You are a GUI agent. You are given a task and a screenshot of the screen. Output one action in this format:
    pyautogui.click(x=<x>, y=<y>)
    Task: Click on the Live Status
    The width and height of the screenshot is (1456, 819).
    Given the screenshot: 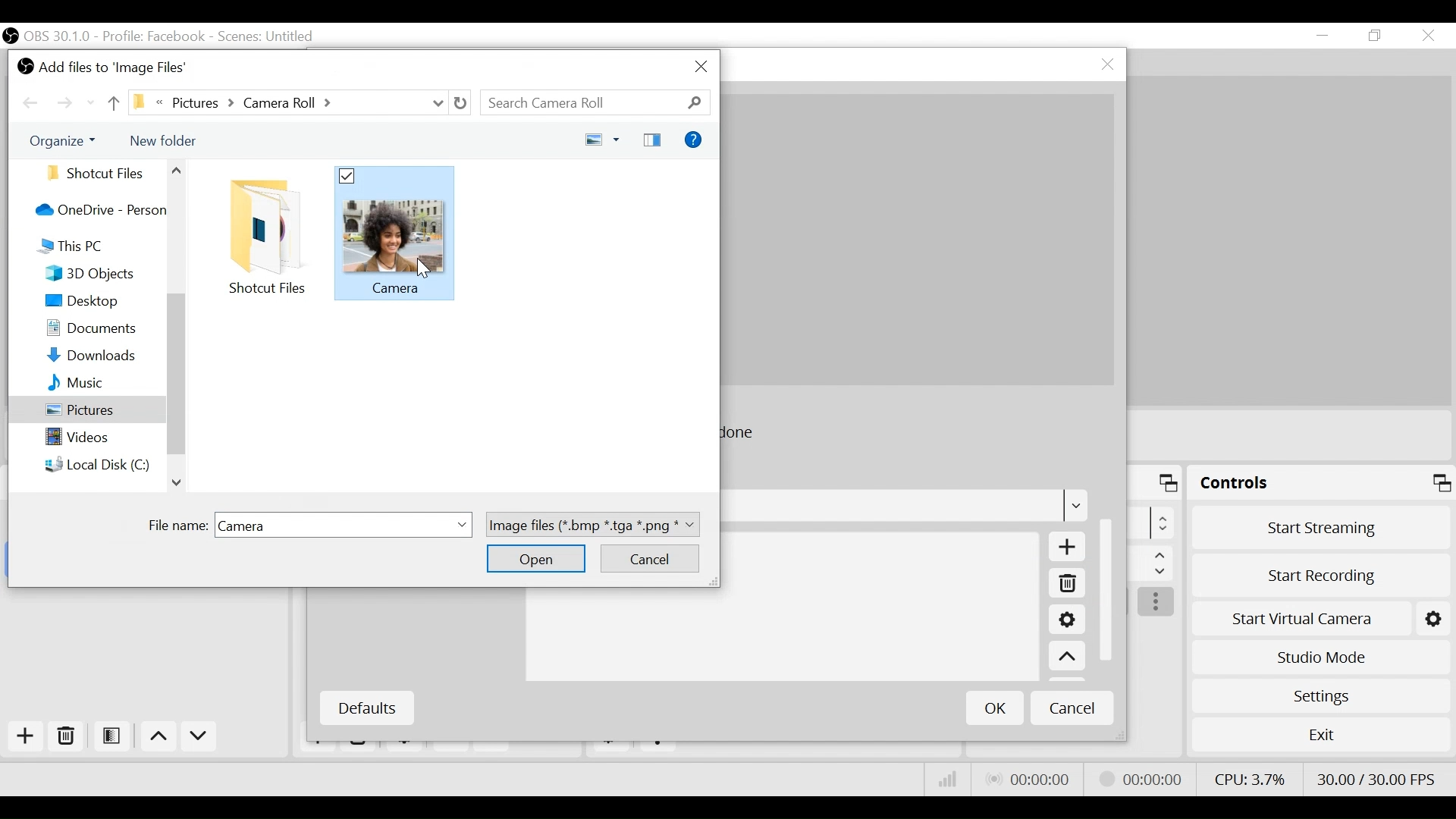 What is the action you would take?
    pyautogui.click(x=1027, y=780)
    